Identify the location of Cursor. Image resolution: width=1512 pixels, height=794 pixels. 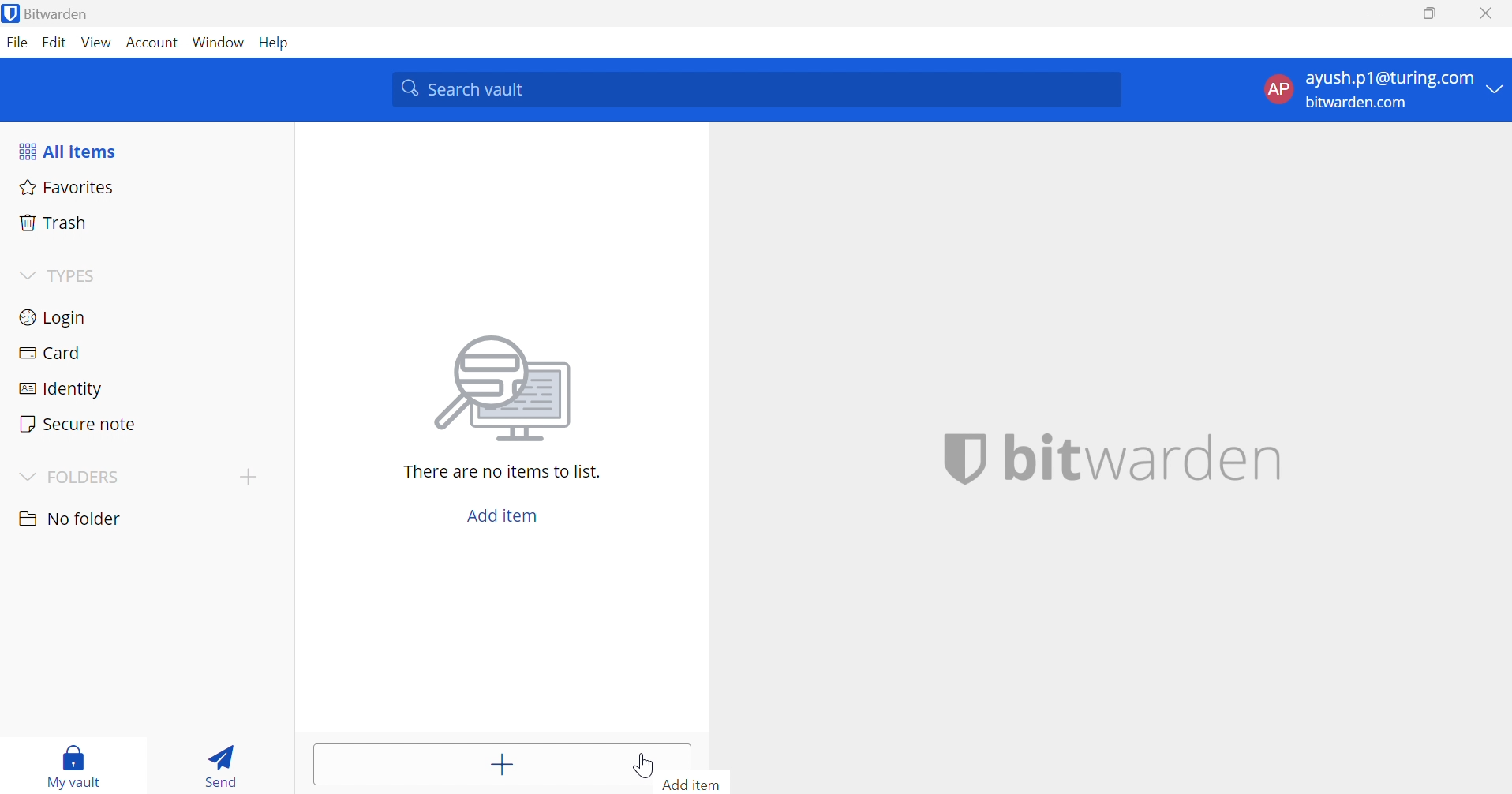
(638, 765).